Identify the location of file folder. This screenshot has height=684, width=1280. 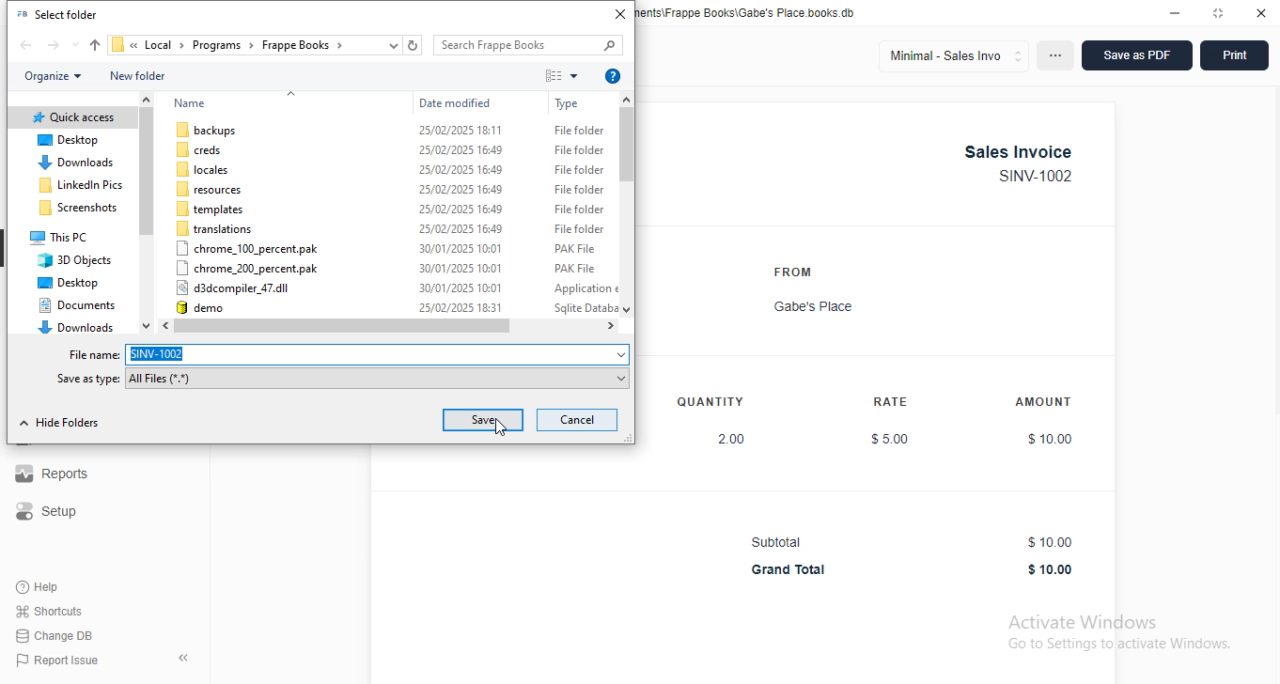
(579, 189).